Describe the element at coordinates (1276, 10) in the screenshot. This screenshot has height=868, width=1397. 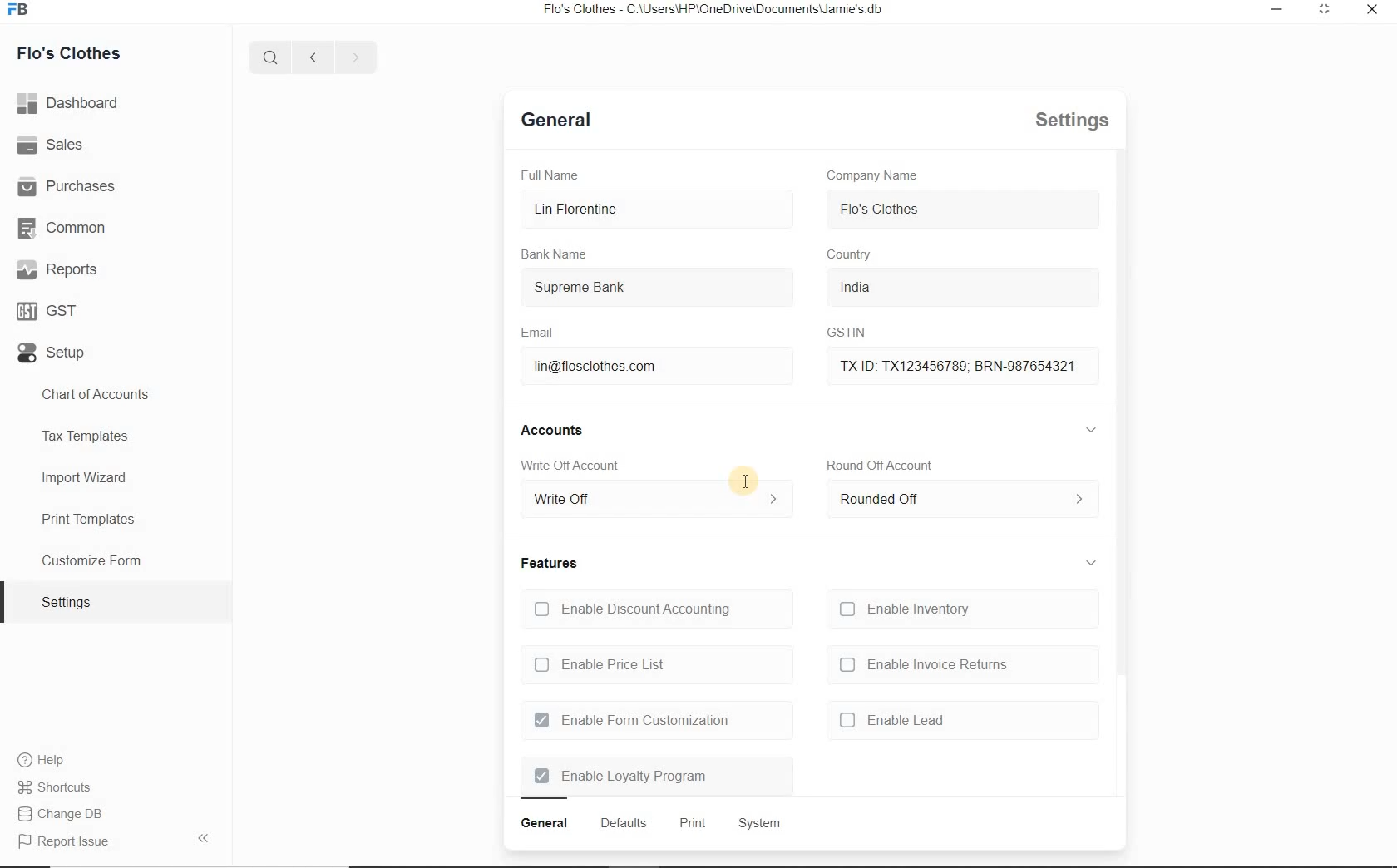
I see `Minimize` at that location.